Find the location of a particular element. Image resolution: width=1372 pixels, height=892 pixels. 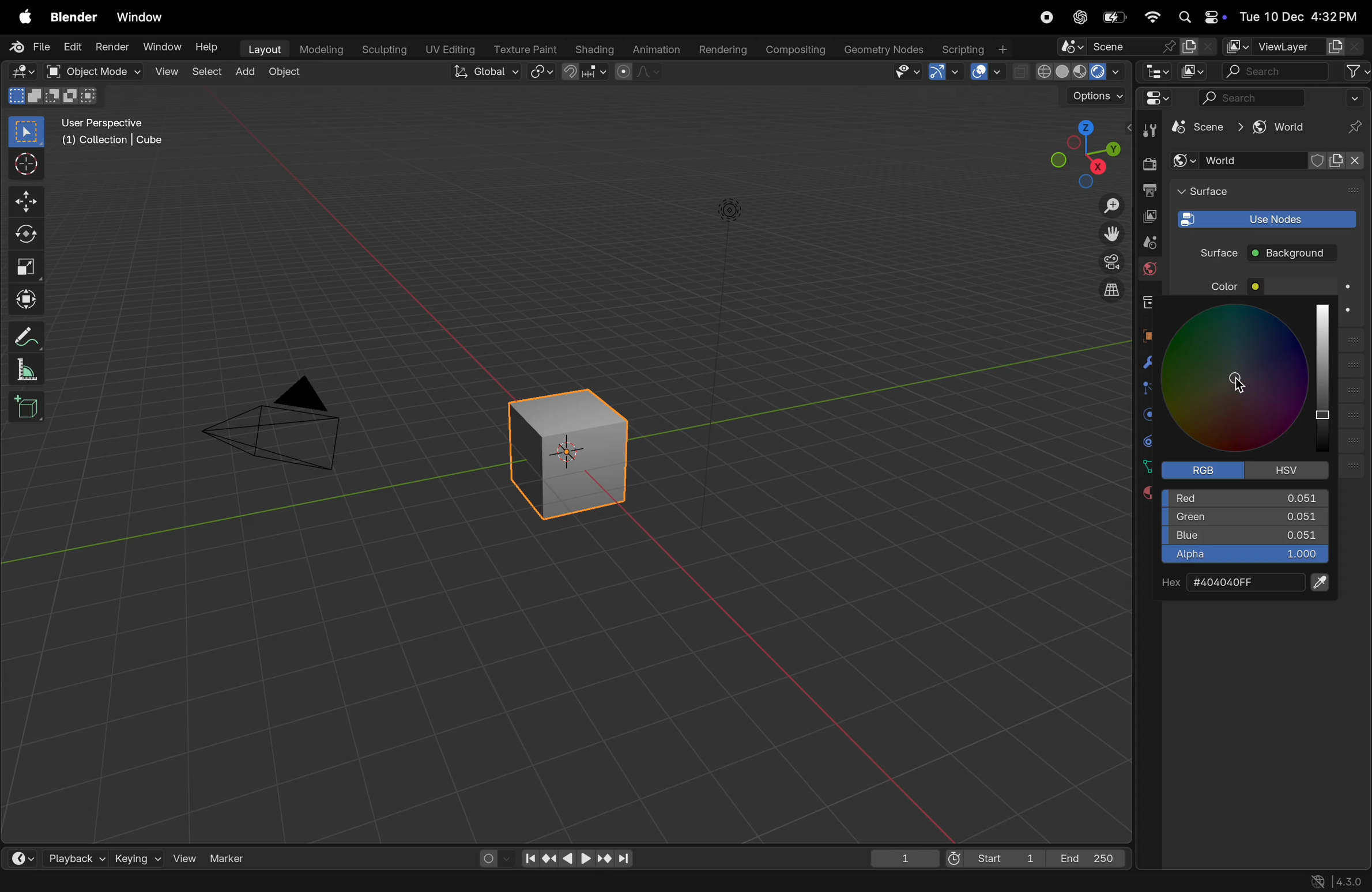

transform is located at coordinates (29, 235).